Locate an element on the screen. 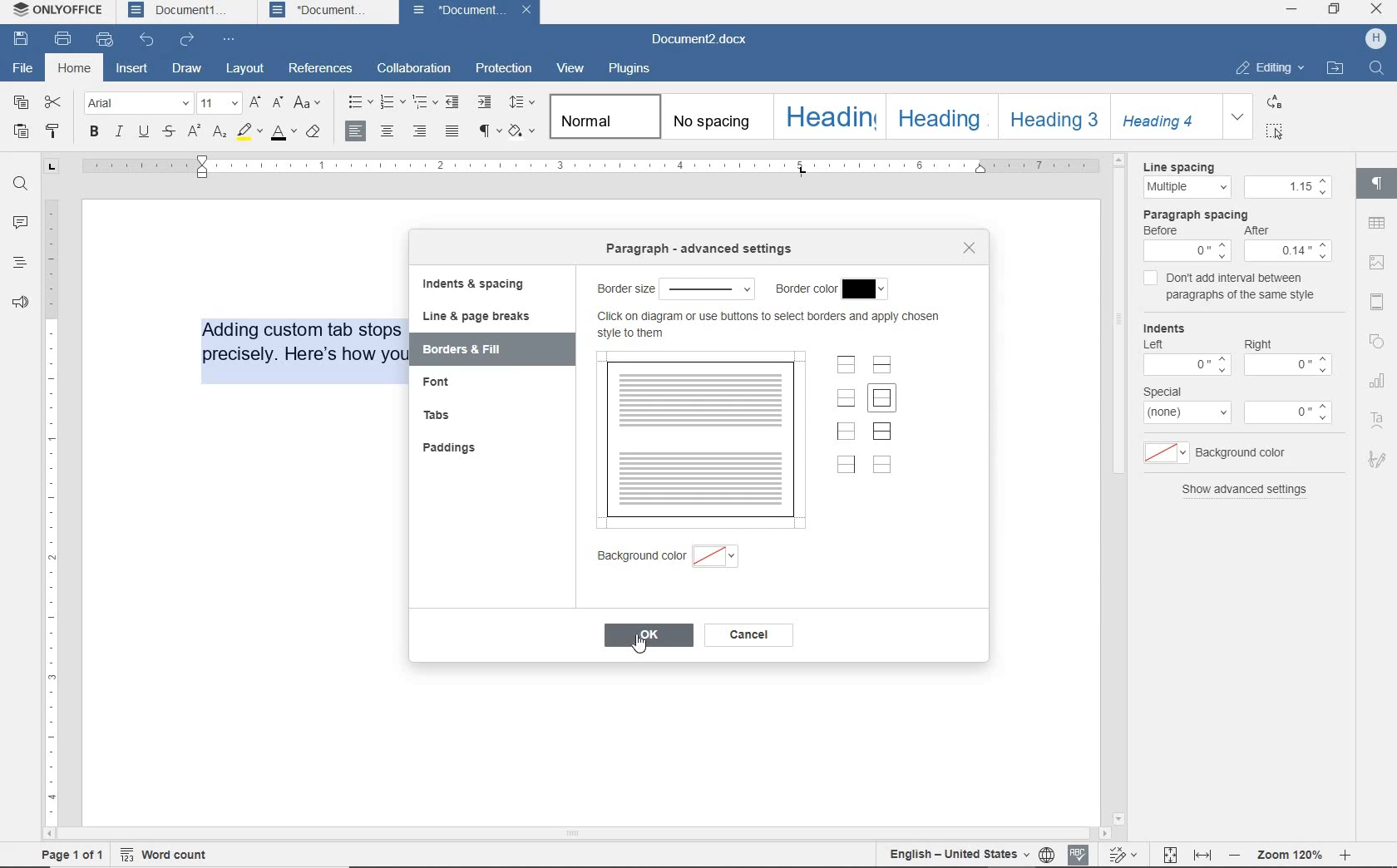 The image size is (1397, 868). copy is located at coordinates (22, 101).